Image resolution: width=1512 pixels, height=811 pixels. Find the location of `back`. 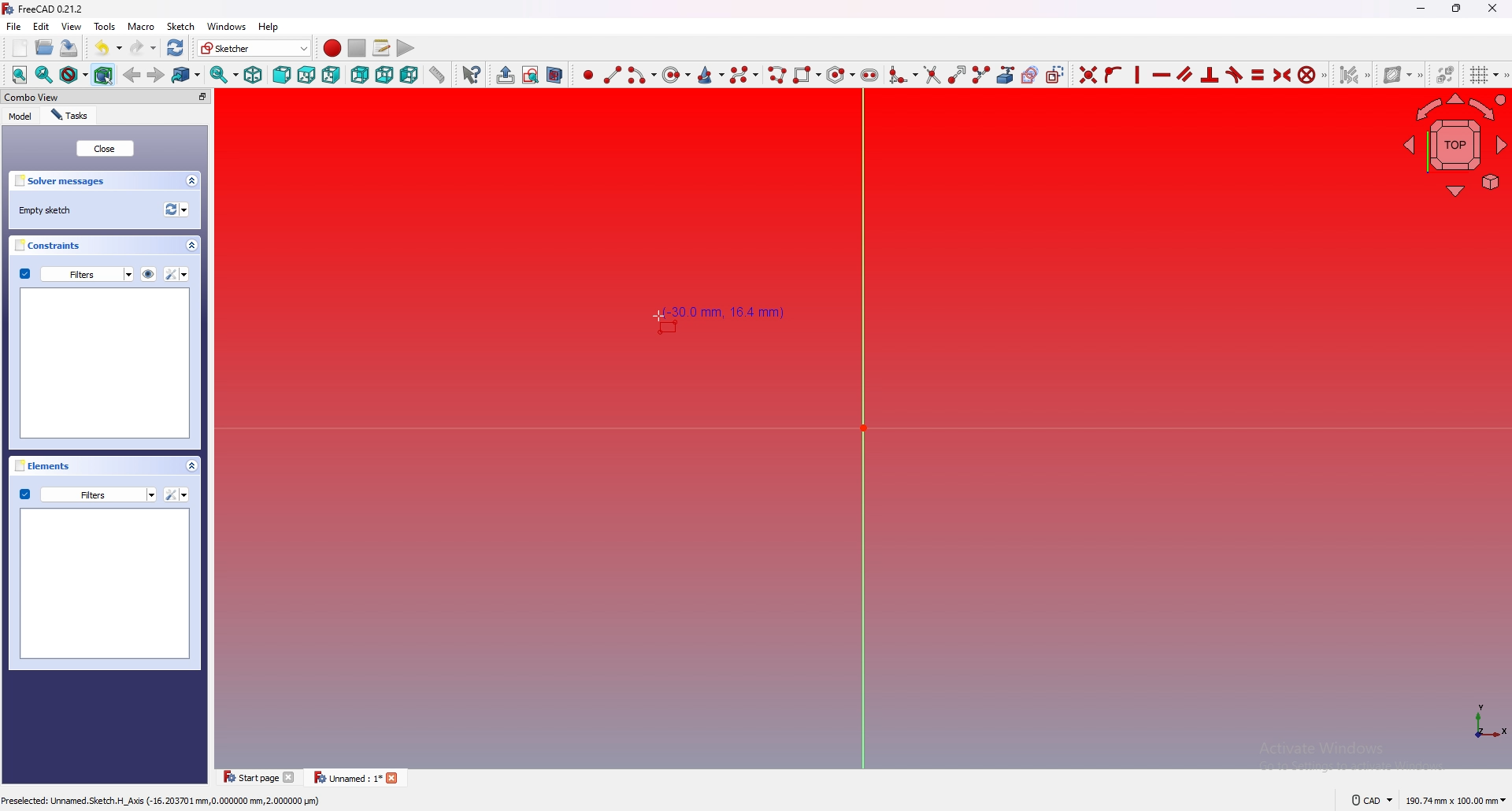

back is located at coordinates (132, 74).